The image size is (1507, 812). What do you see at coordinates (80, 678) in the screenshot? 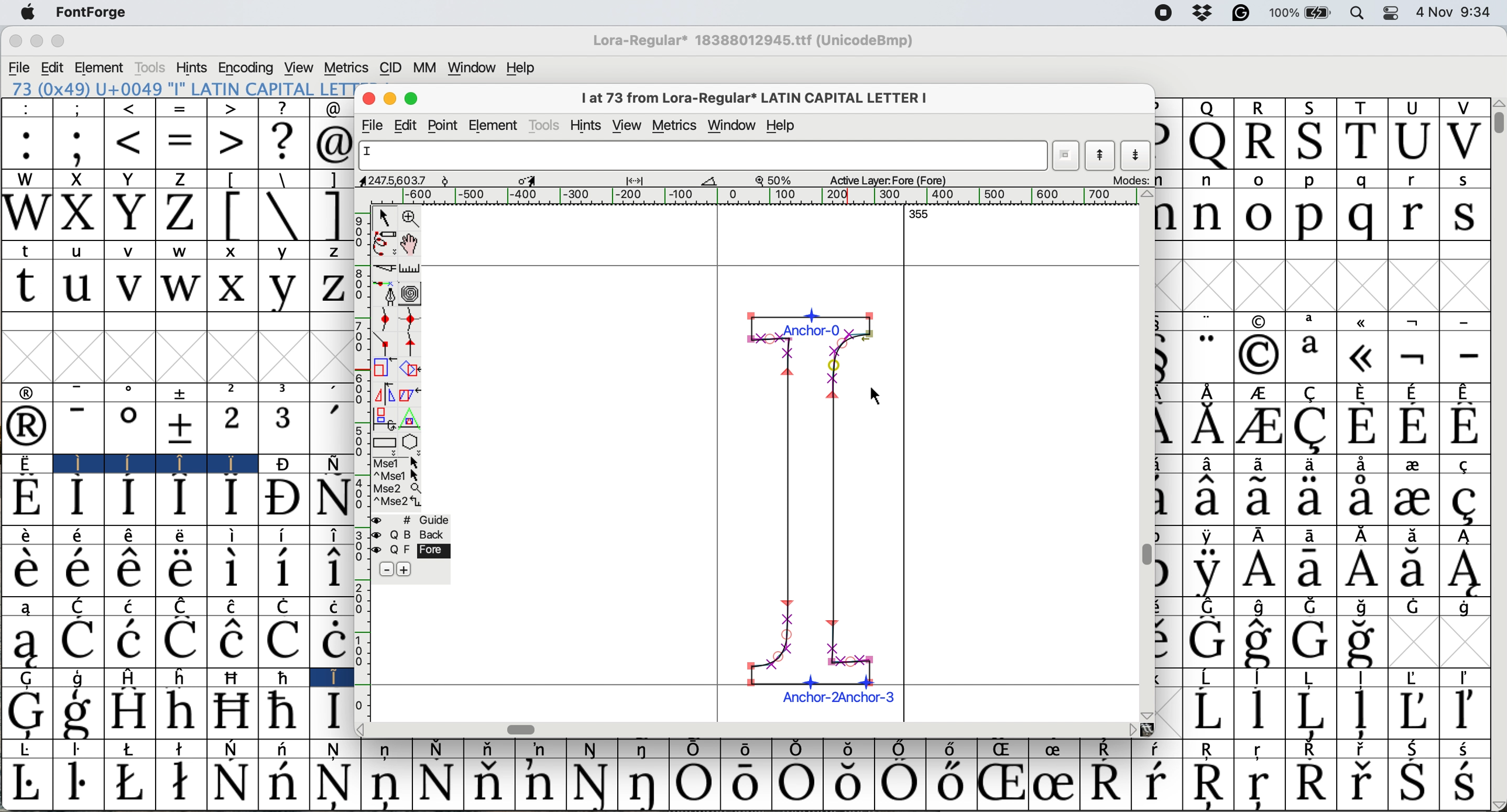
I see `g` at bounding box center [80, 678].